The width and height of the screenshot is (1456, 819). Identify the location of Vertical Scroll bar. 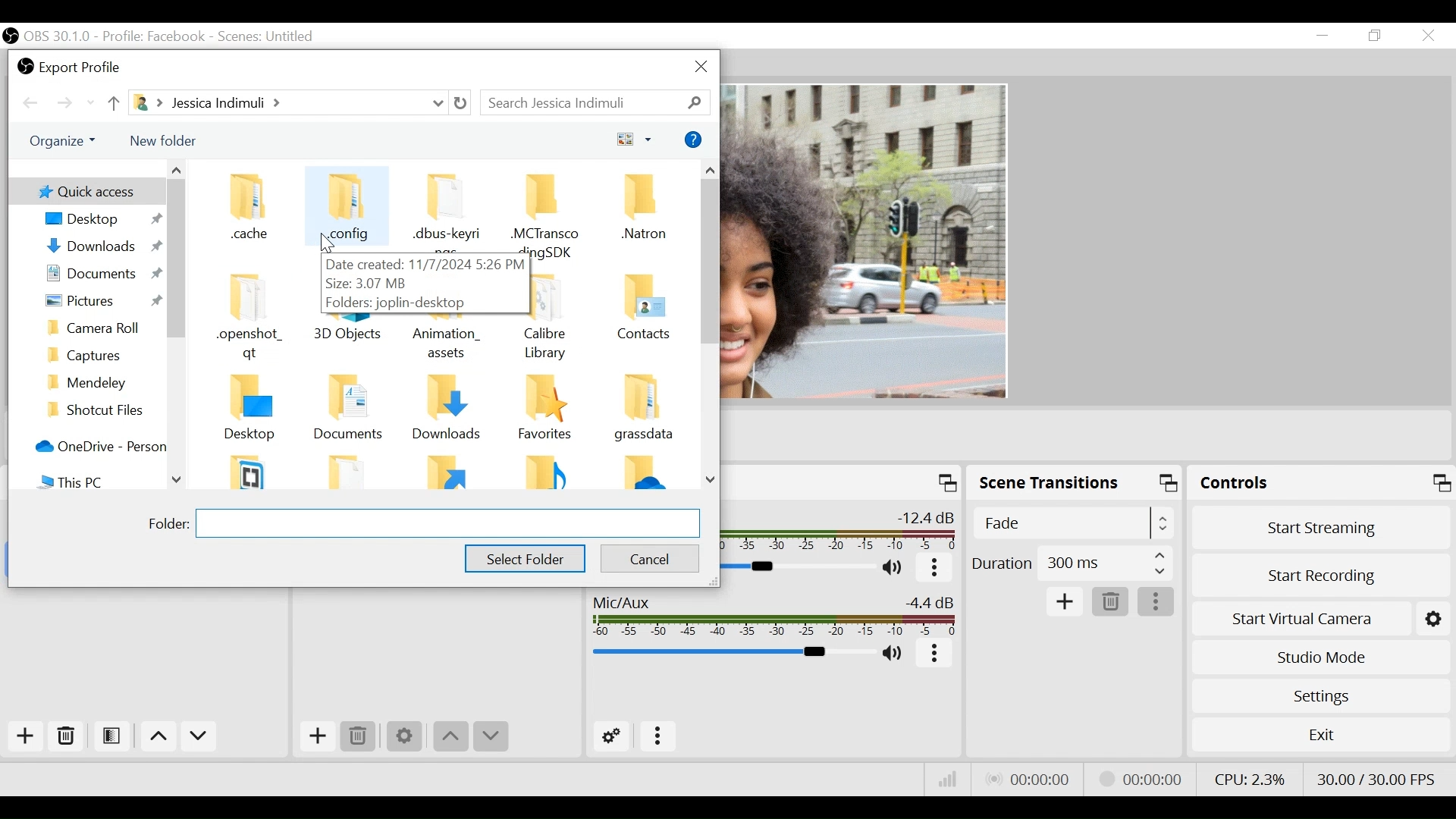
(709, 262).